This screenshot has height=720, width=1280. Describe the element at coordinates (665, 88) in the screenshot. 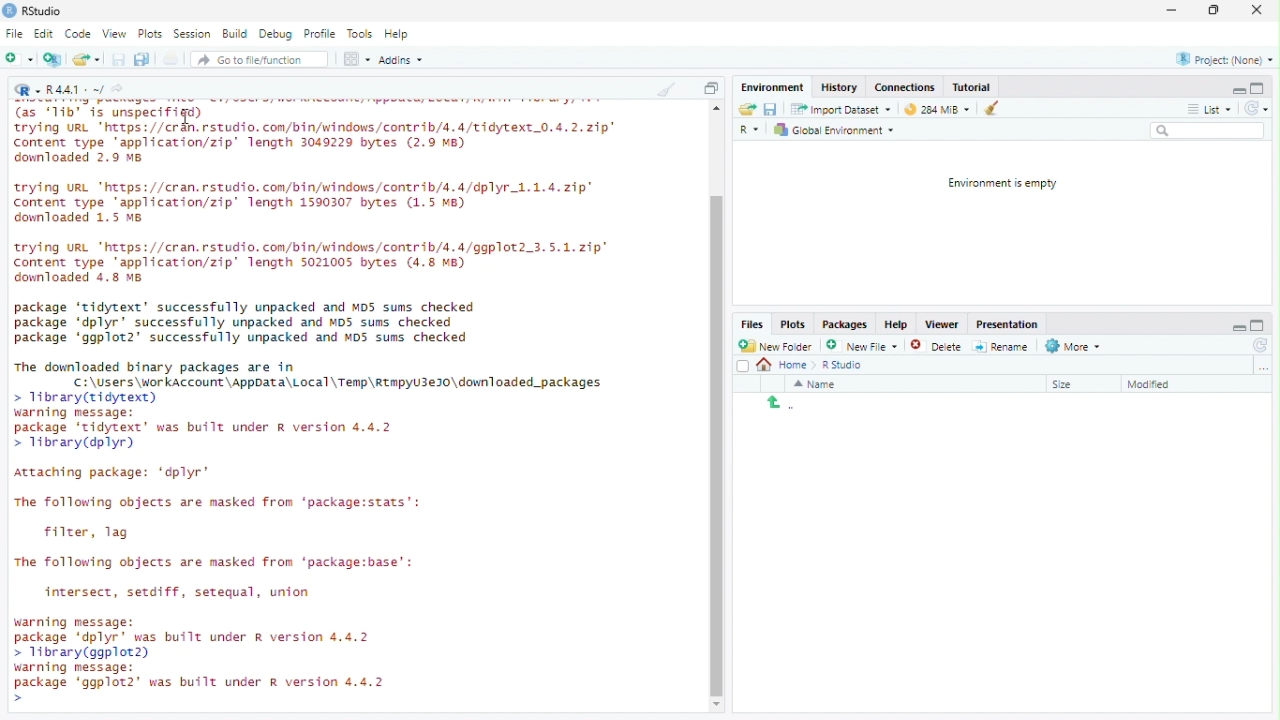

I see `Clean` at that location.